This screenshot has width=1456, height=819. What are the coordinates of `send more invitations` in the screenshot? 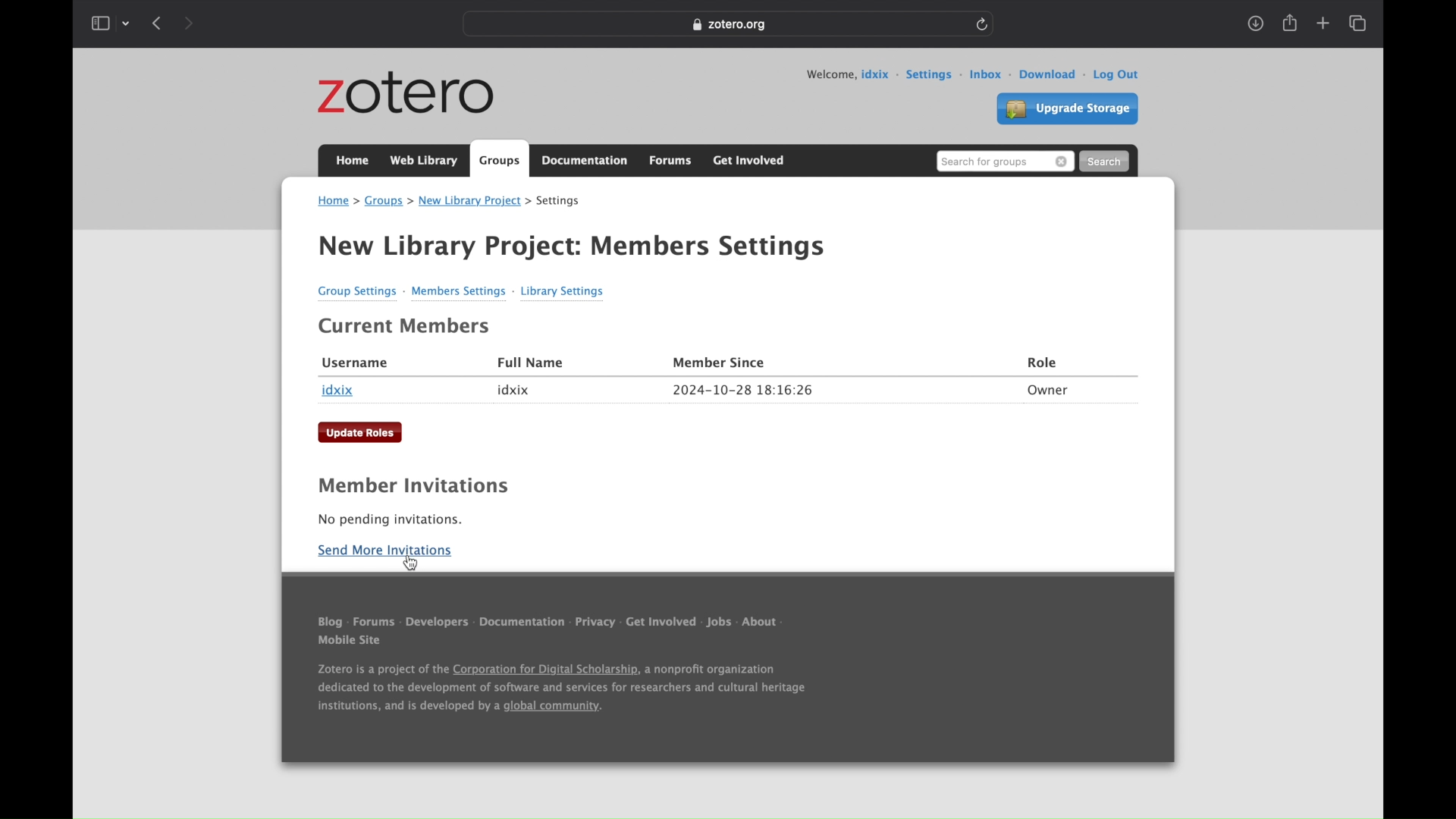 It's located at (382, 552).